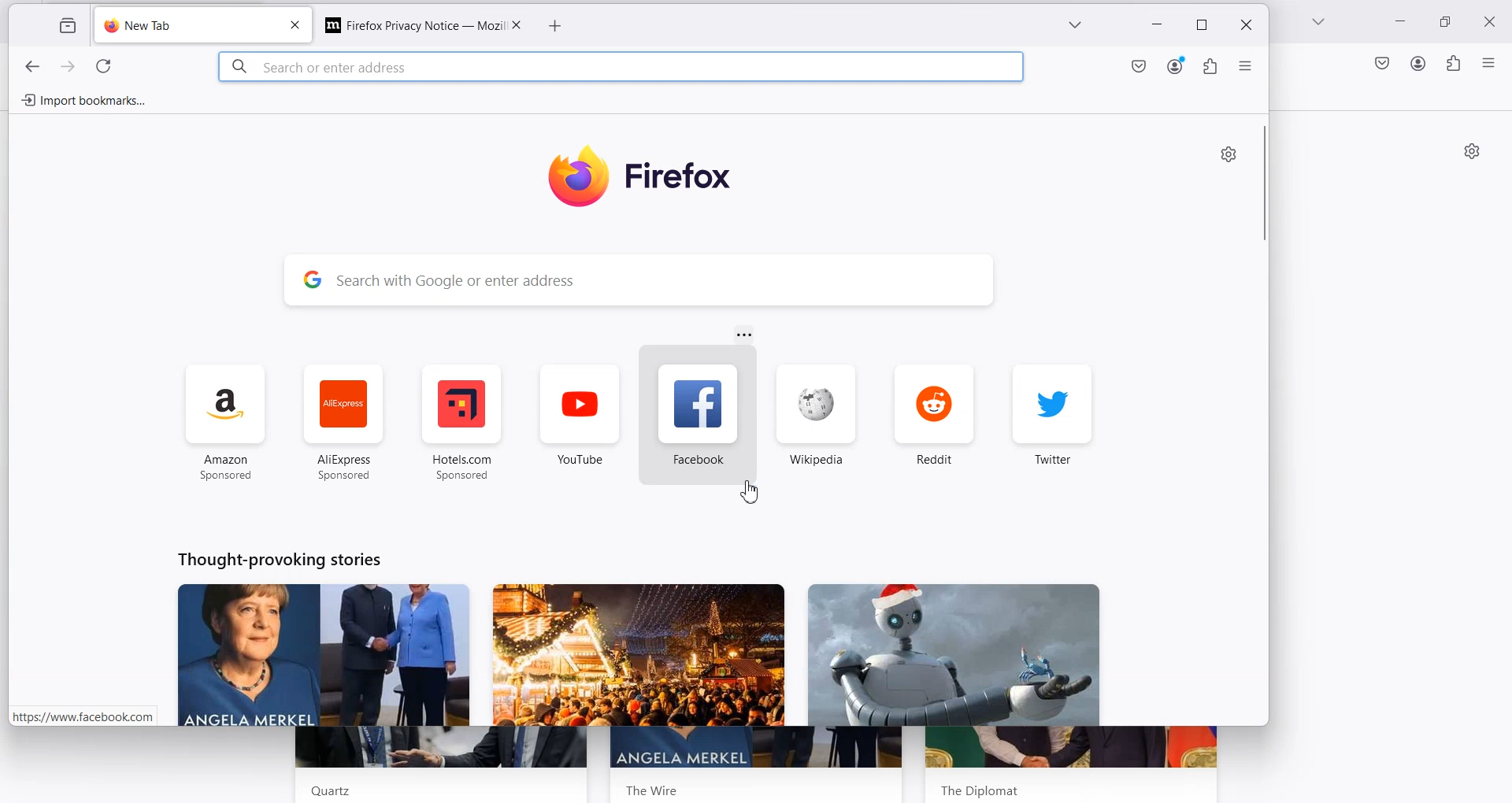 This screenshot has width=1512, height=803. Describe the element at coordinates (324, 790) in the screenshot. I see `Quartz` at that location.